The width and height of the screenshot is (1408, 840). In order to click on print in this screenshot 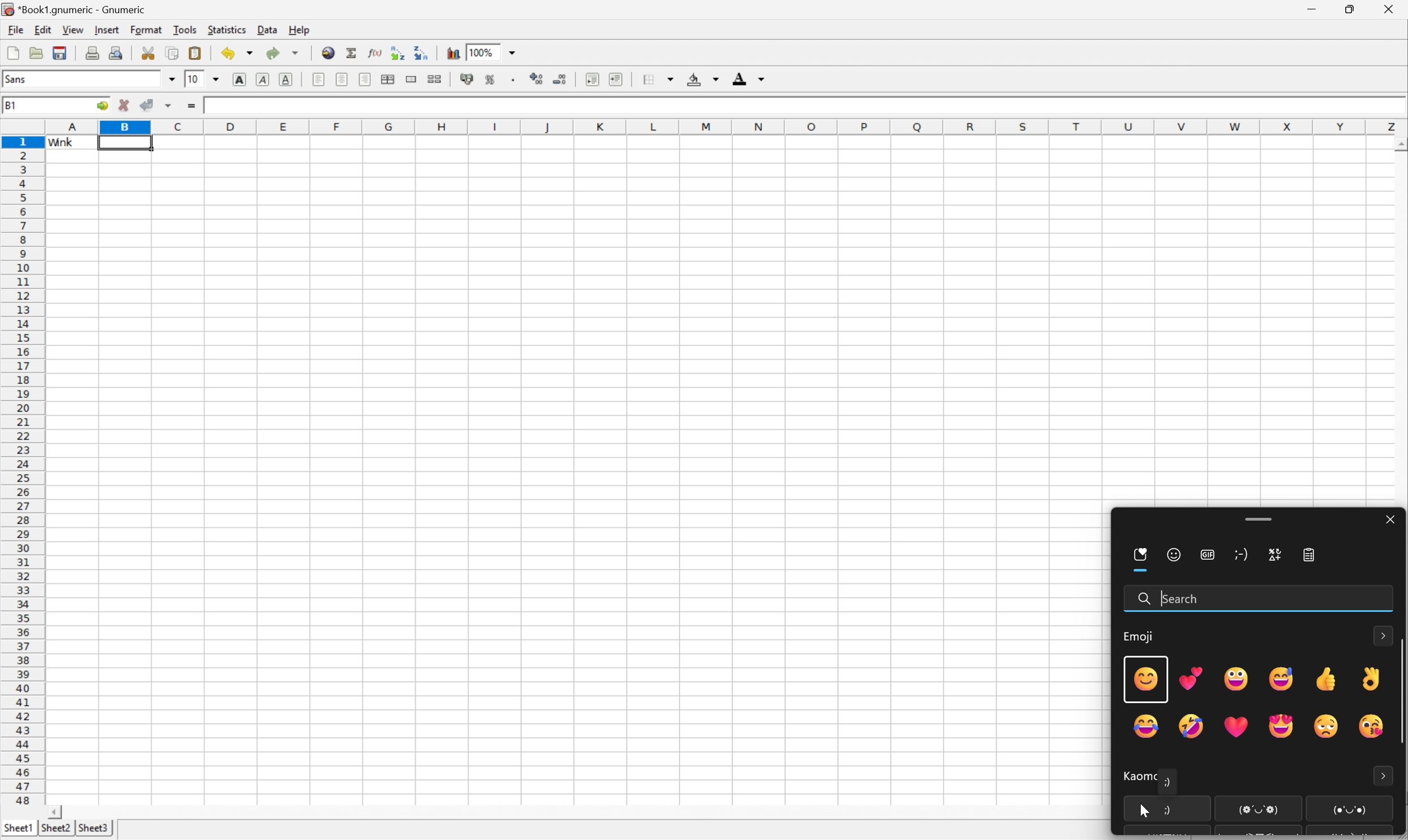, I will do `click(92, 53)`.